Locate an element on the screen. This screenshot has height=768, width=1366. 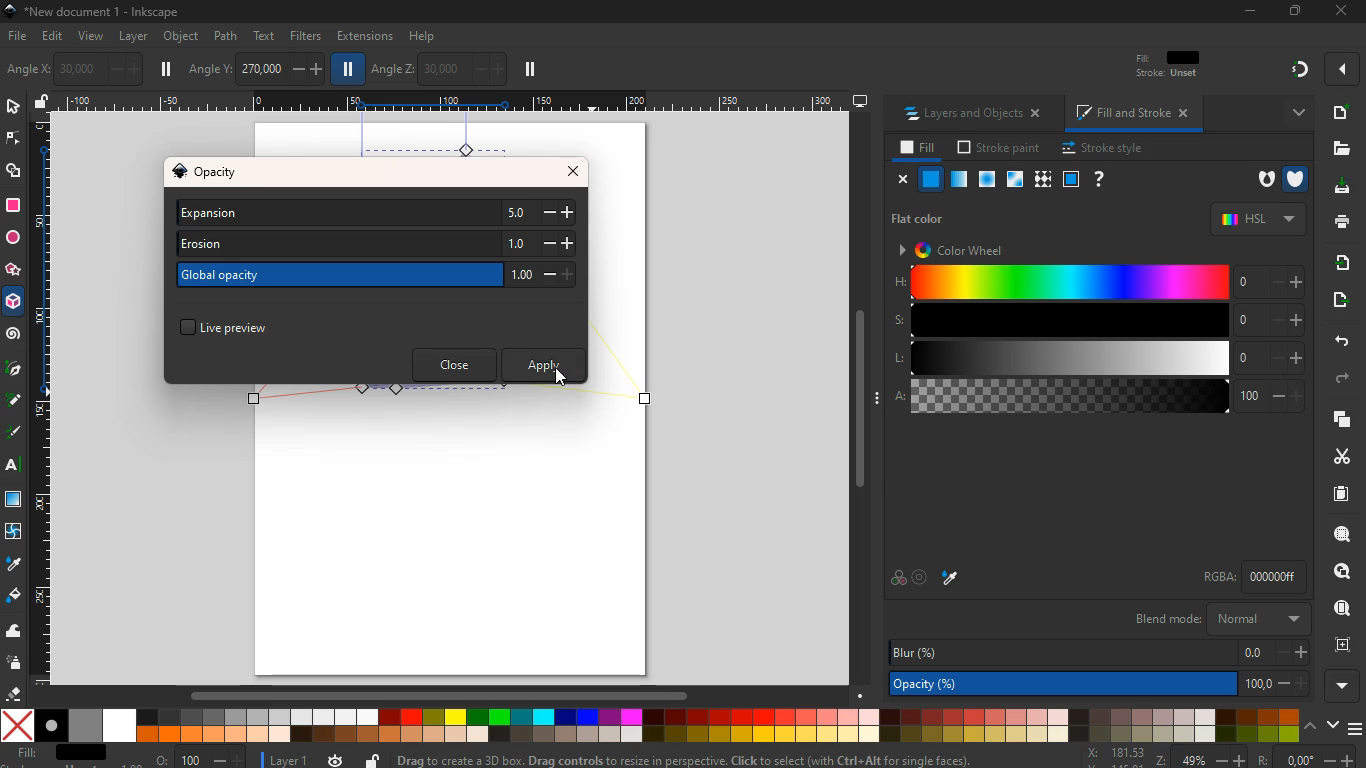
forward is located at coordinates (1348, 379).